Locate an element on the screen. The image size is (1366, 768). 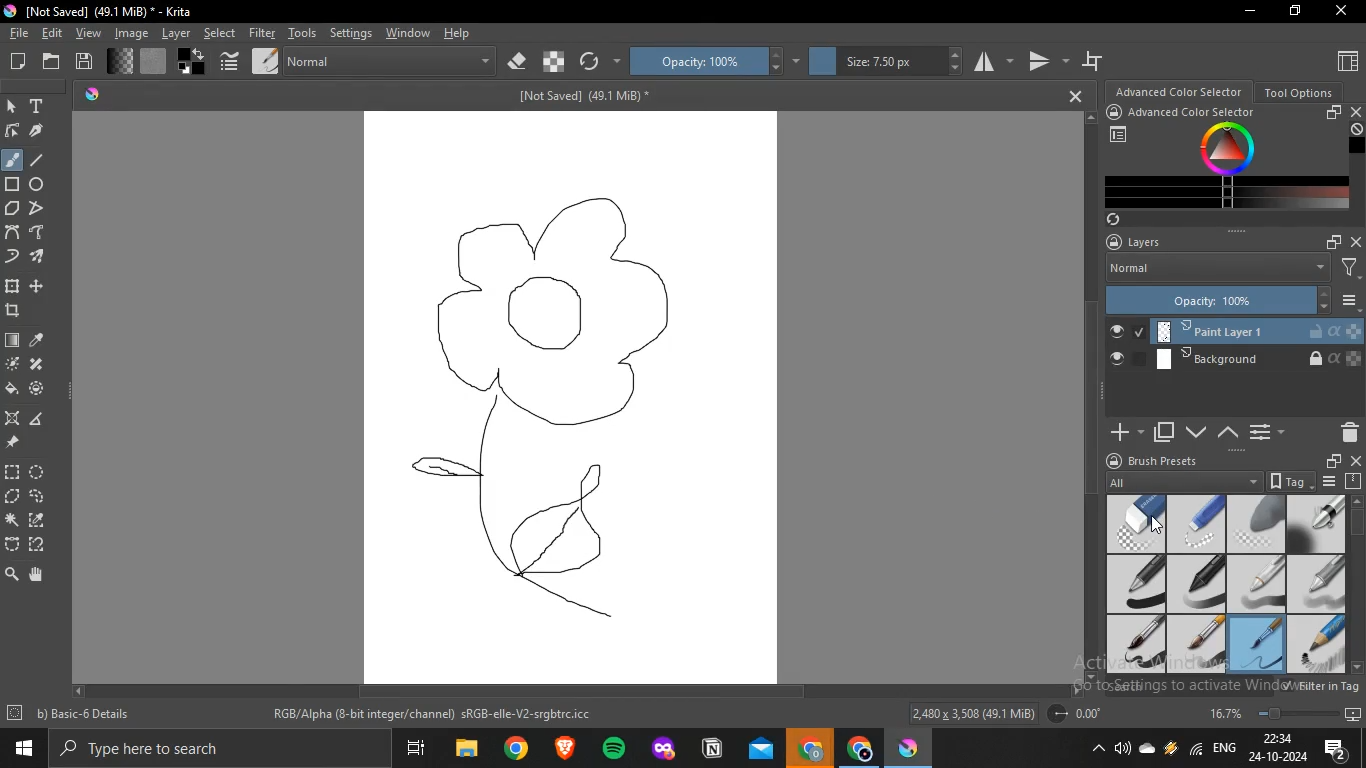
set eraser mode is located at coordinates (516, 63).